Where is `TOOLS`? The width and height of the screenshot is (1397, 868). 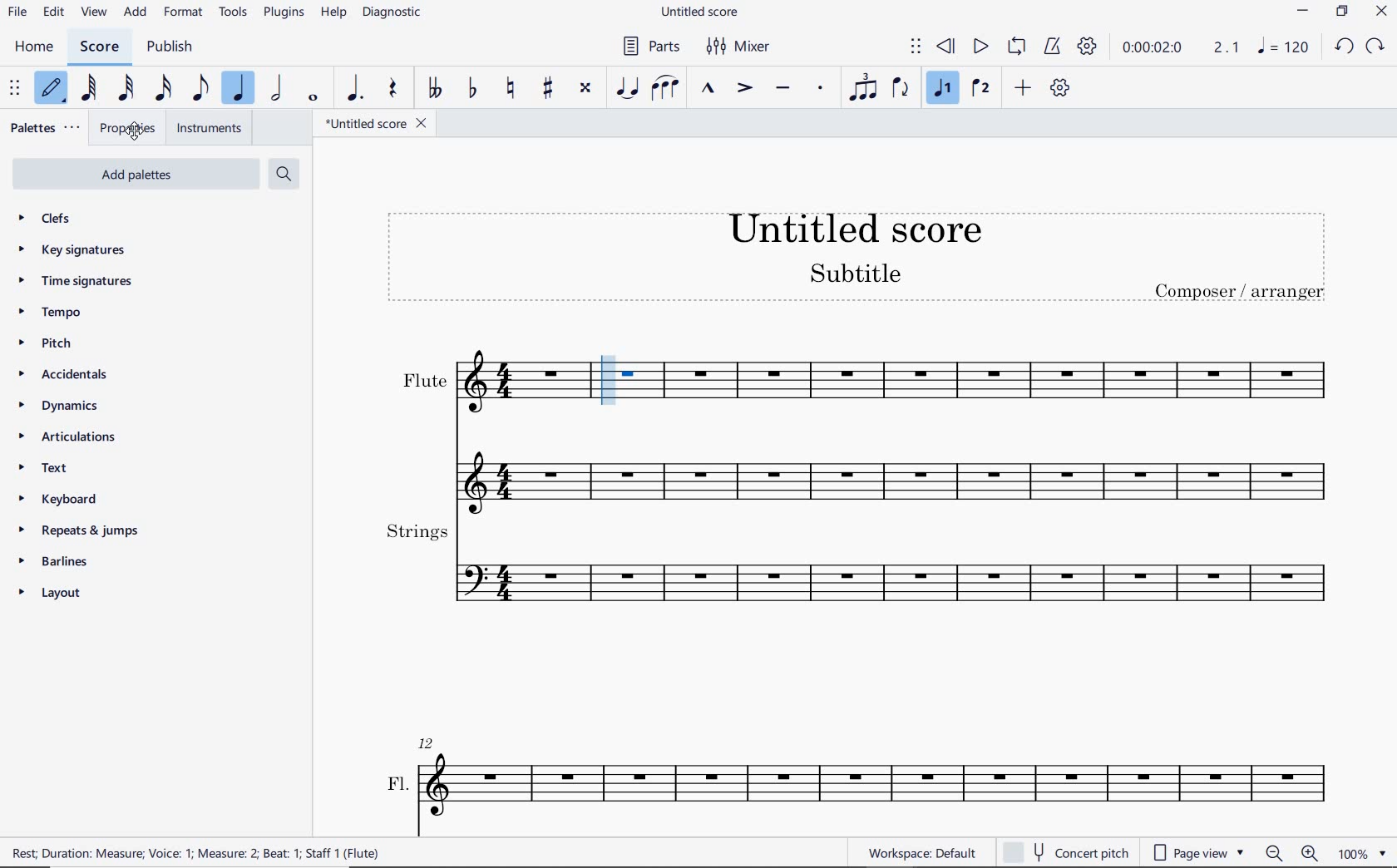
TOOLS is located at coordinates (234, 13).